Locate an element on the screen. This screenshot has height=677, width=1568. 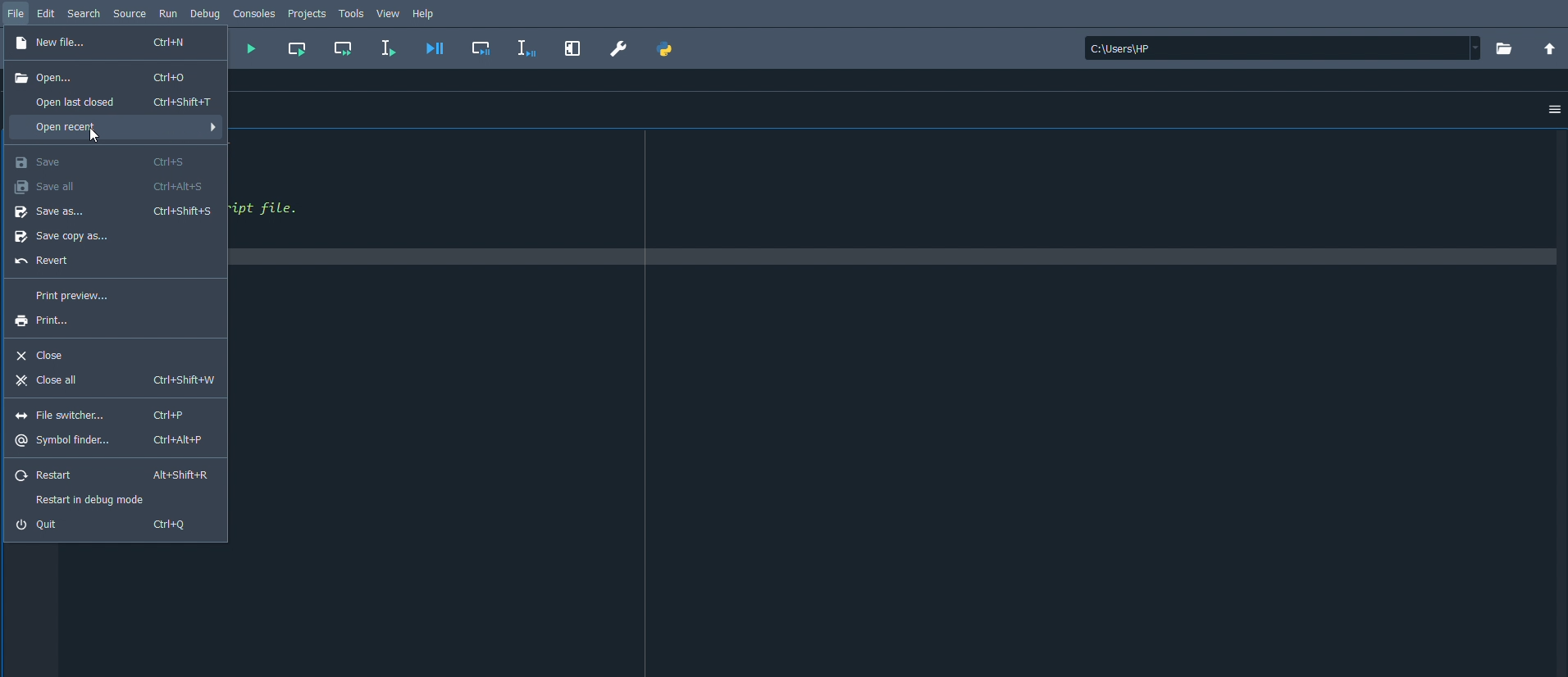
Maximize current pane is located at coordinates (573, 47).